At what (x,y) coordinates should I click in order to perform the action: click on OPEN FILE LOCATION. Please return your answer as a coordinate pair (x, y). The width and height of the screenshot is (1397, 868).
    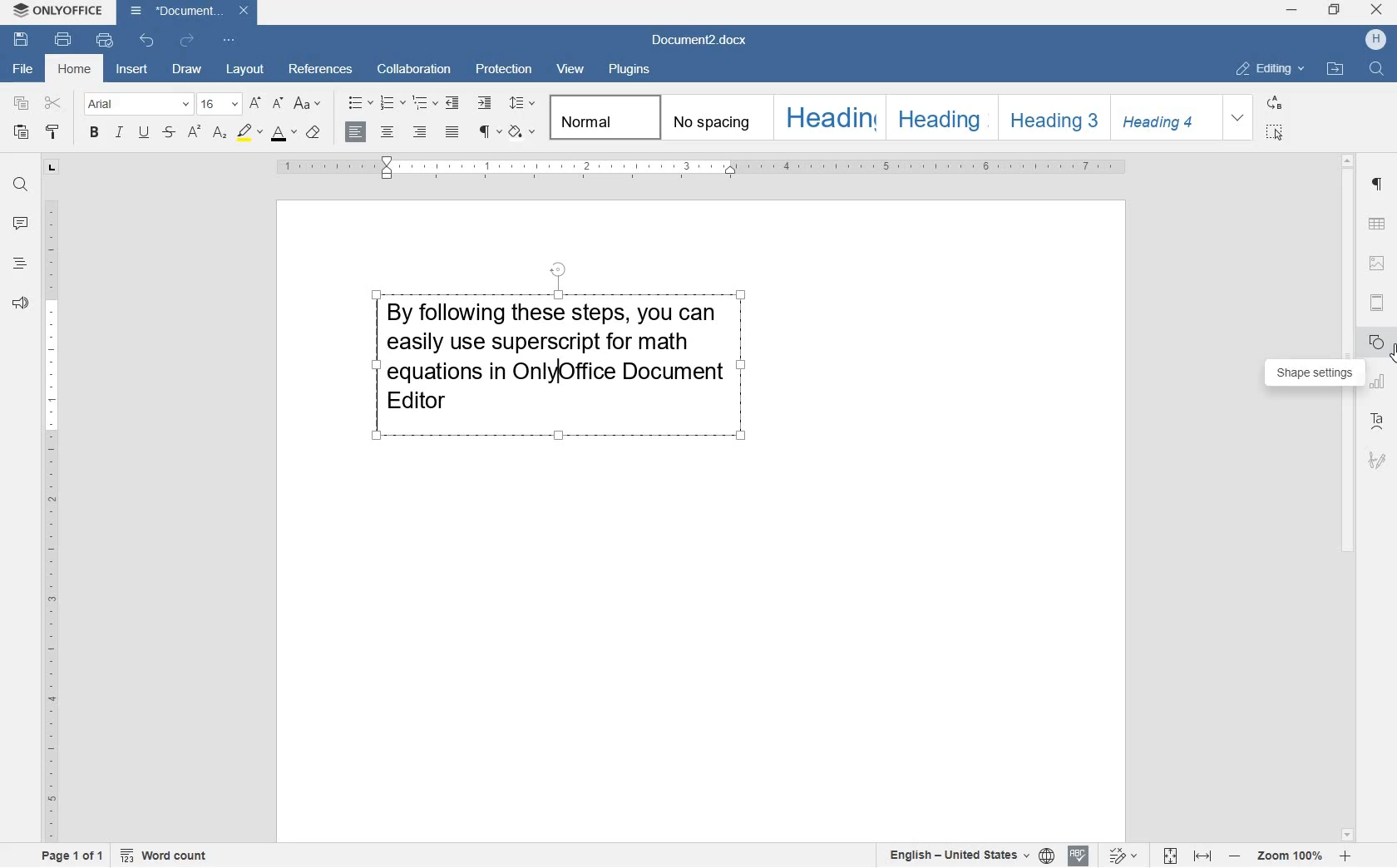
    Looking at the image, I should click on (1335, 67).